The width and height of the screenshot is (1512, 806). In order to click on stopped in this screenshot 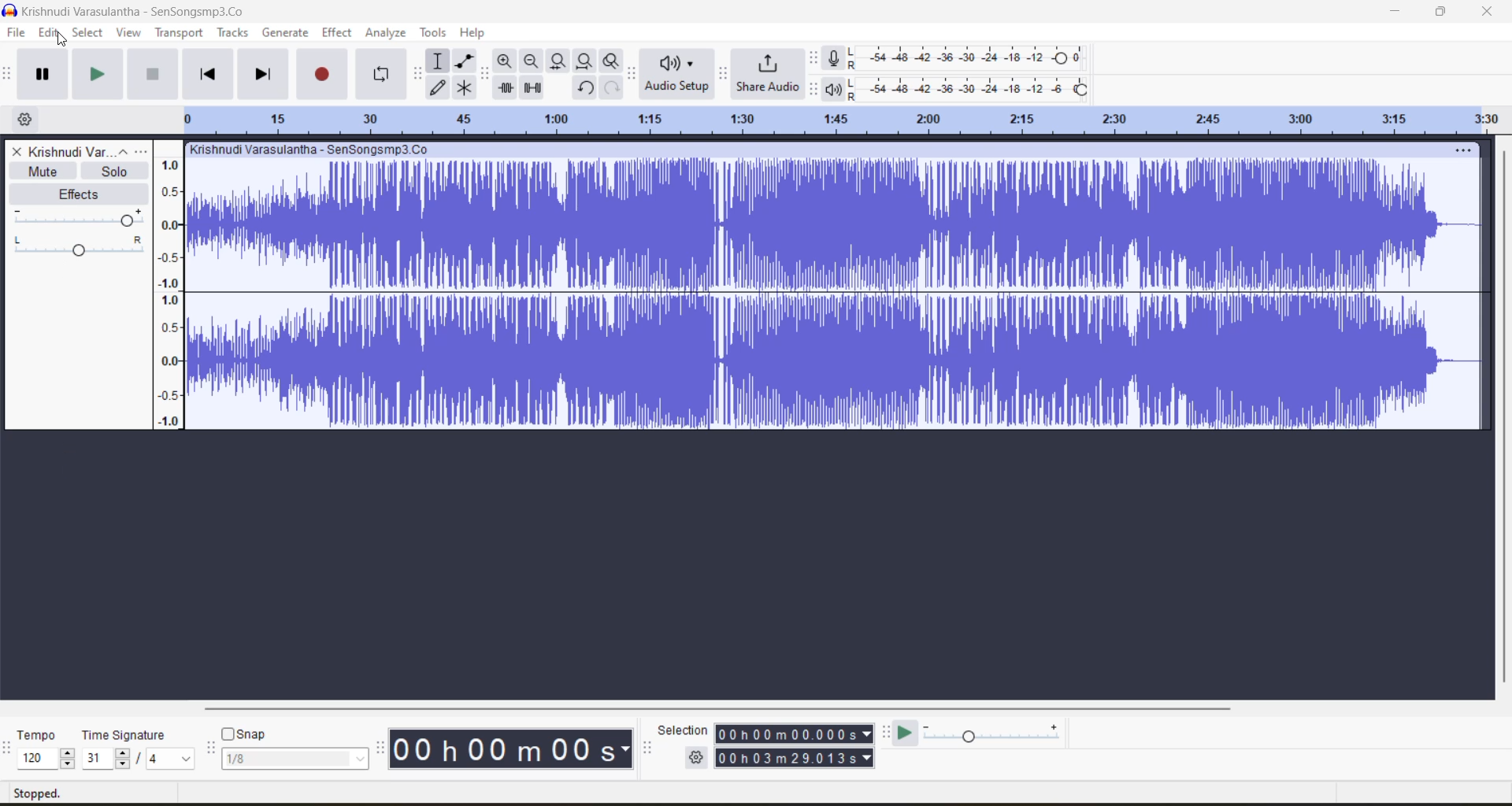, I will do `click(41, 793)`.